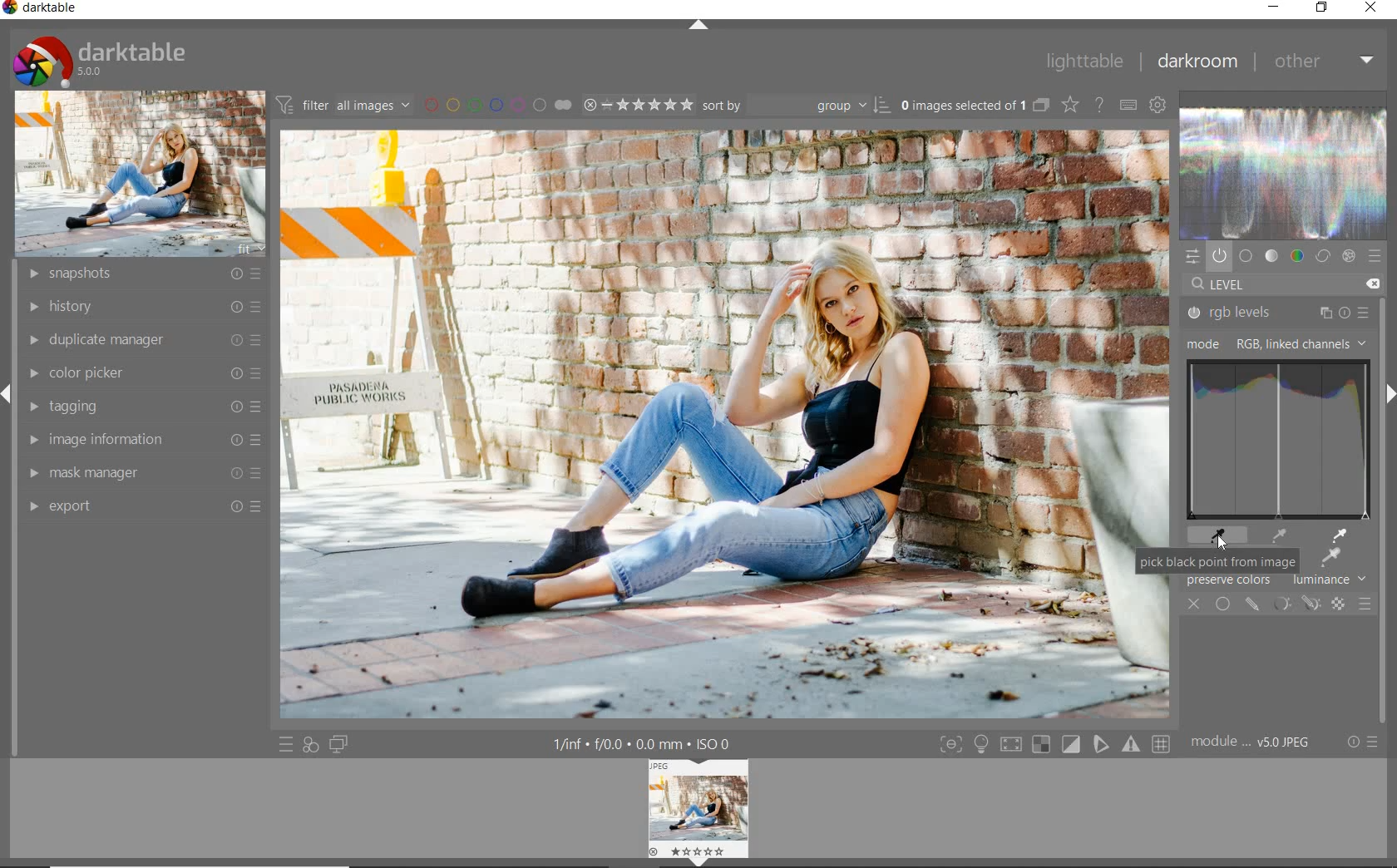 This screenshot has height=868, width=1397. I want to click on other, so click(1323, 62).